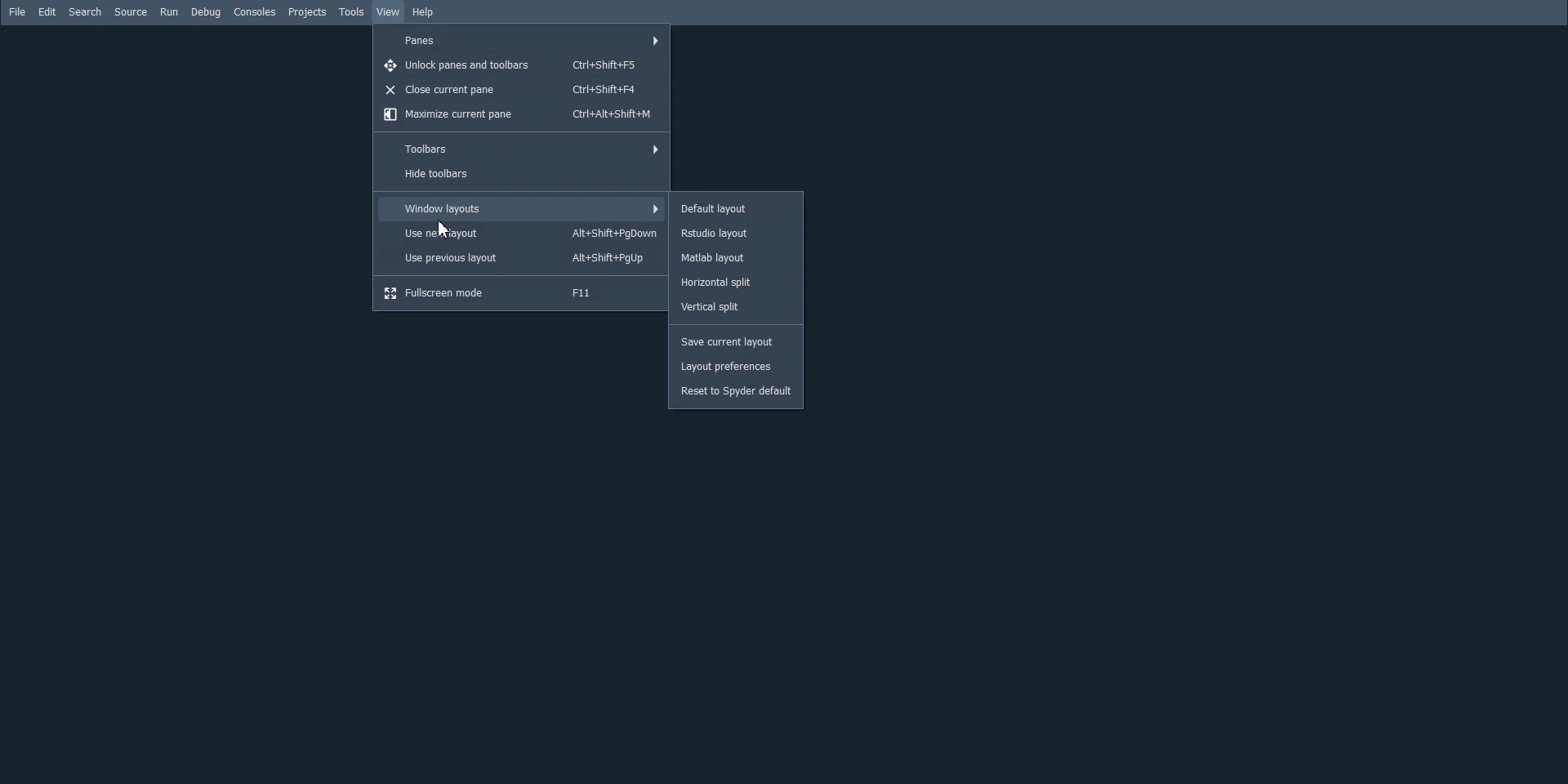 This screenshot has width=1568, height=784. I want to click on Projects, so click(307, 12).